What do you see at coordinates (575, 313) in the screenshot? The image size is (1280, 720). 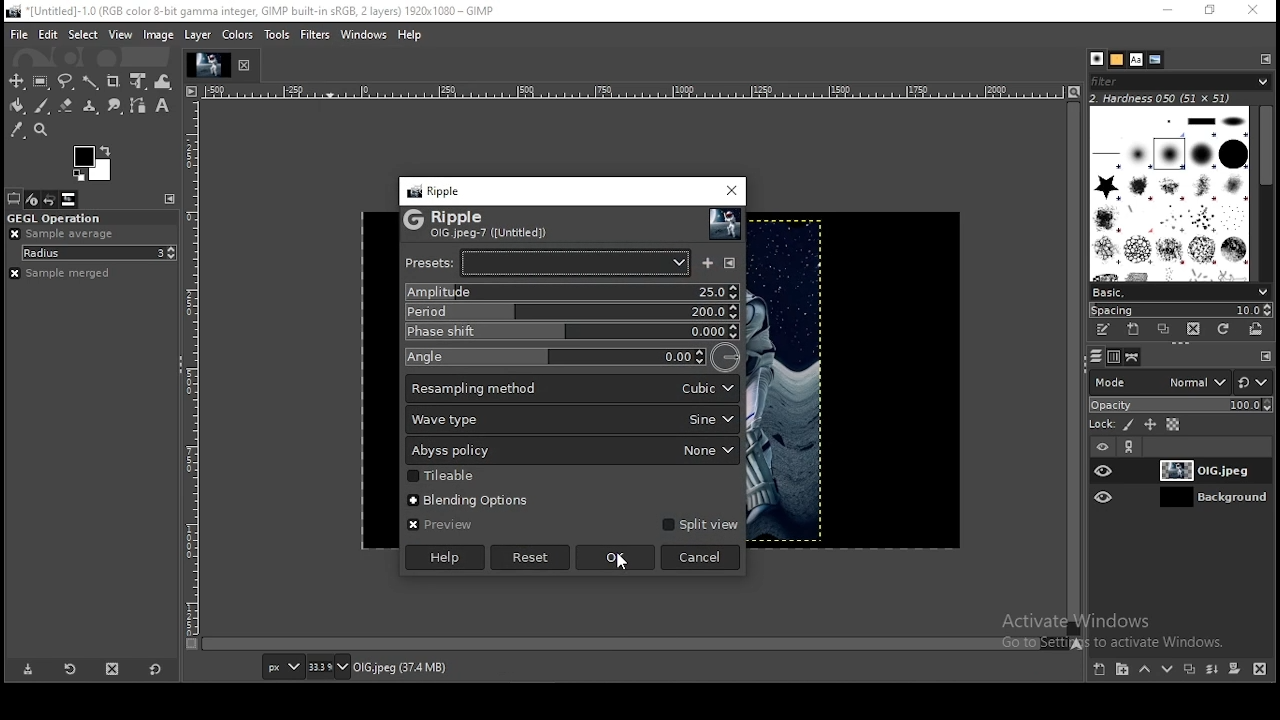 I see `period` at bounding box center [575, 313].